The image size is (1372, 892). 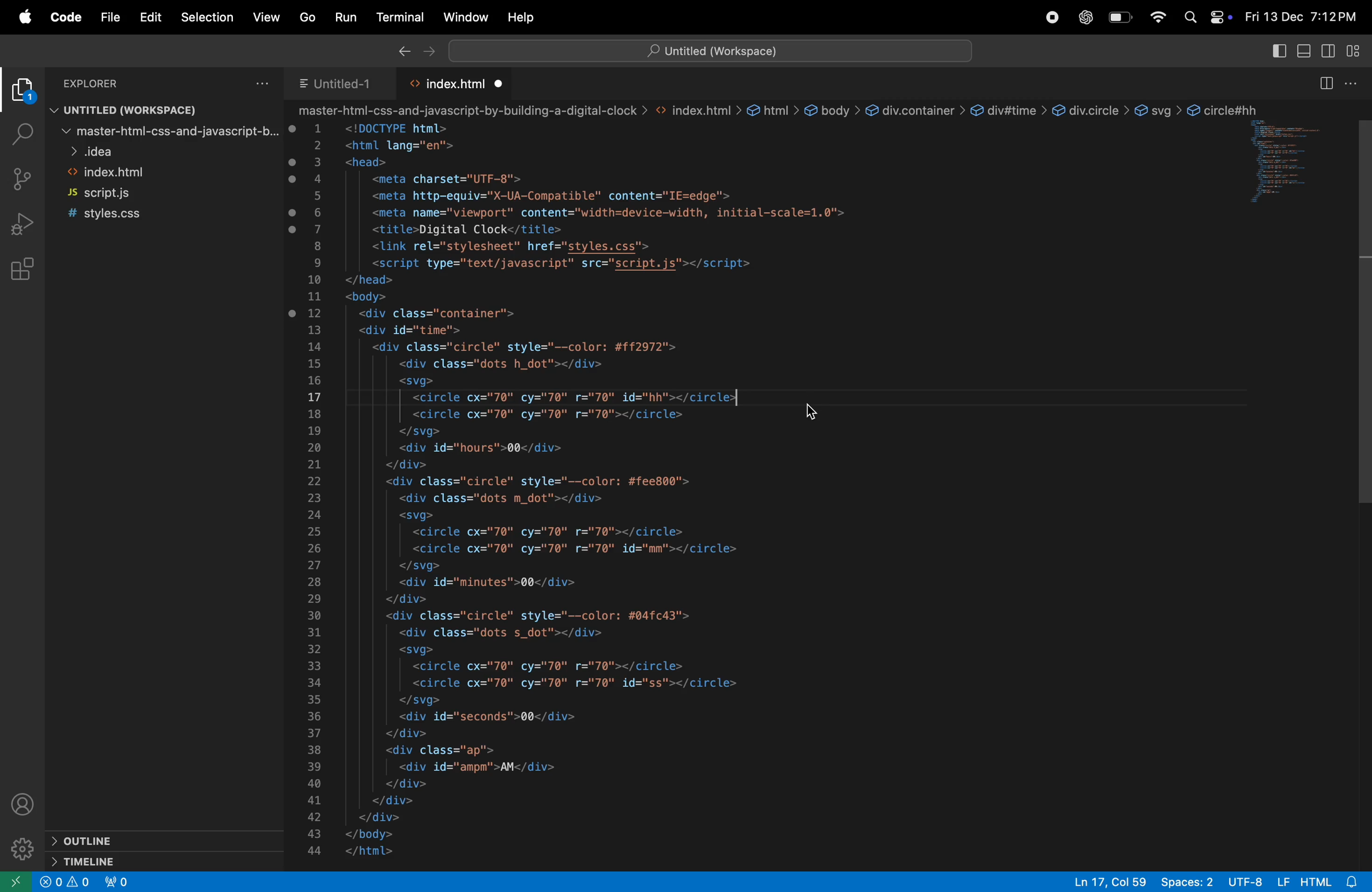 What do you see at coordinates (67, 884) in the screenshot?
I see `create alert` at bounding box center [67, 884].